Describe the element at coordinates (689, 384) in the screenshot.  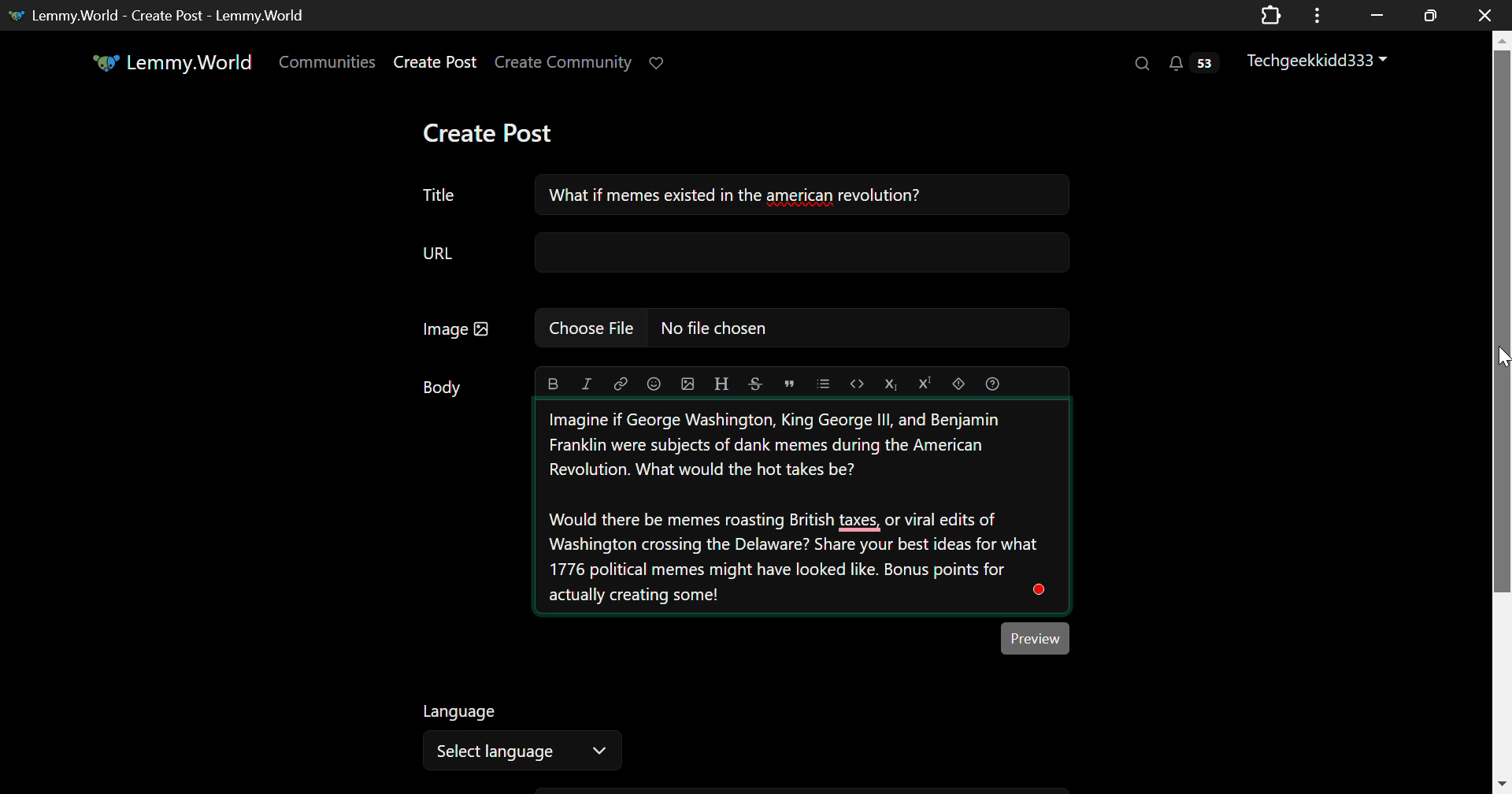
I see `Insert Image` at that location.